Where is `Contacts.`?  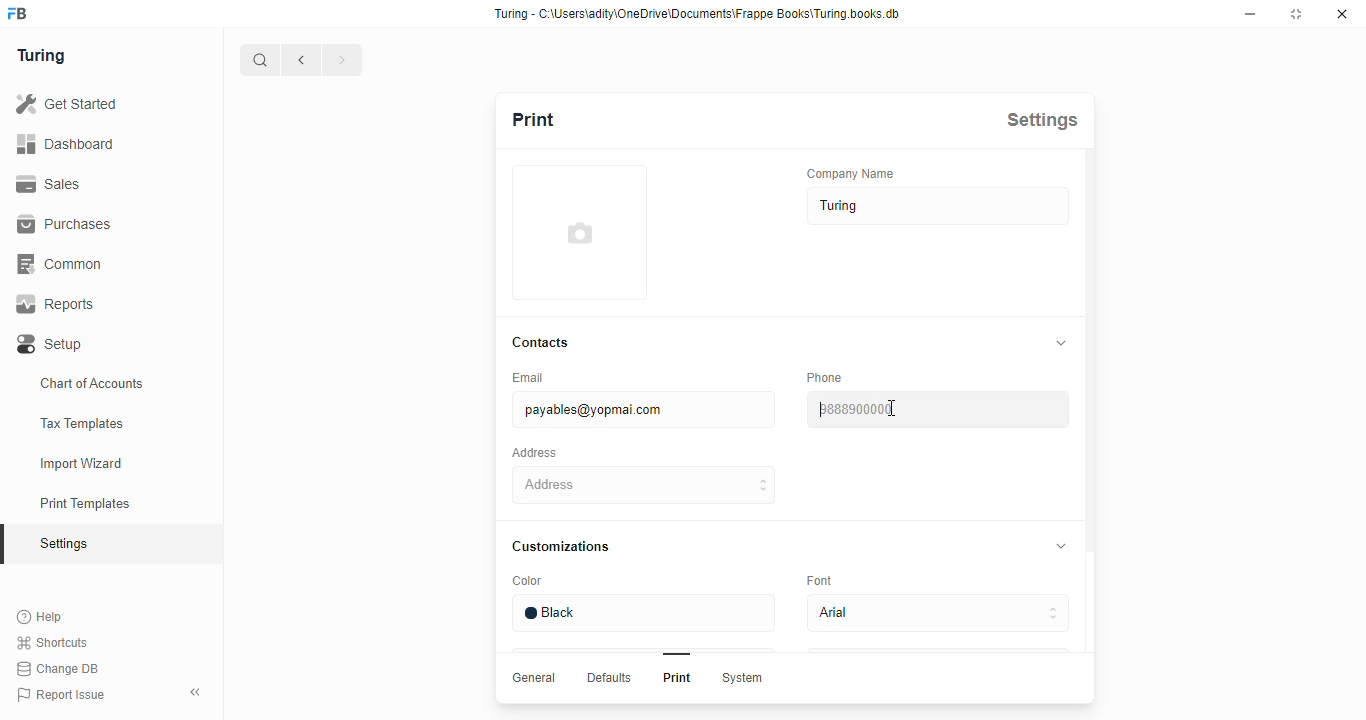
Contacts. is located at coordinates (542, 344).